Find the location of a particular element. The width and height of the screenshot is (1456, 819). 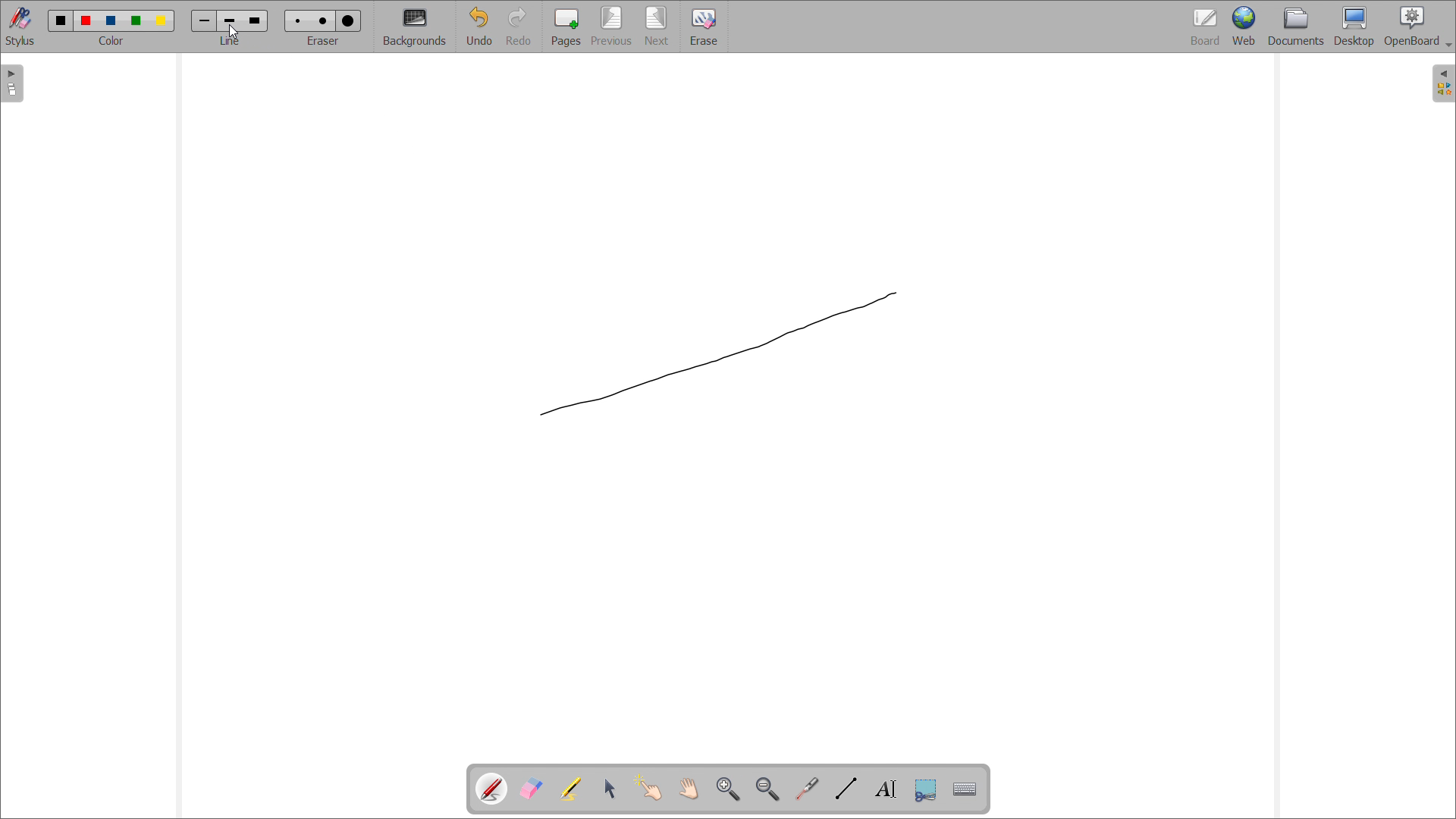

Eraser size is located at coordinates (299, 20).